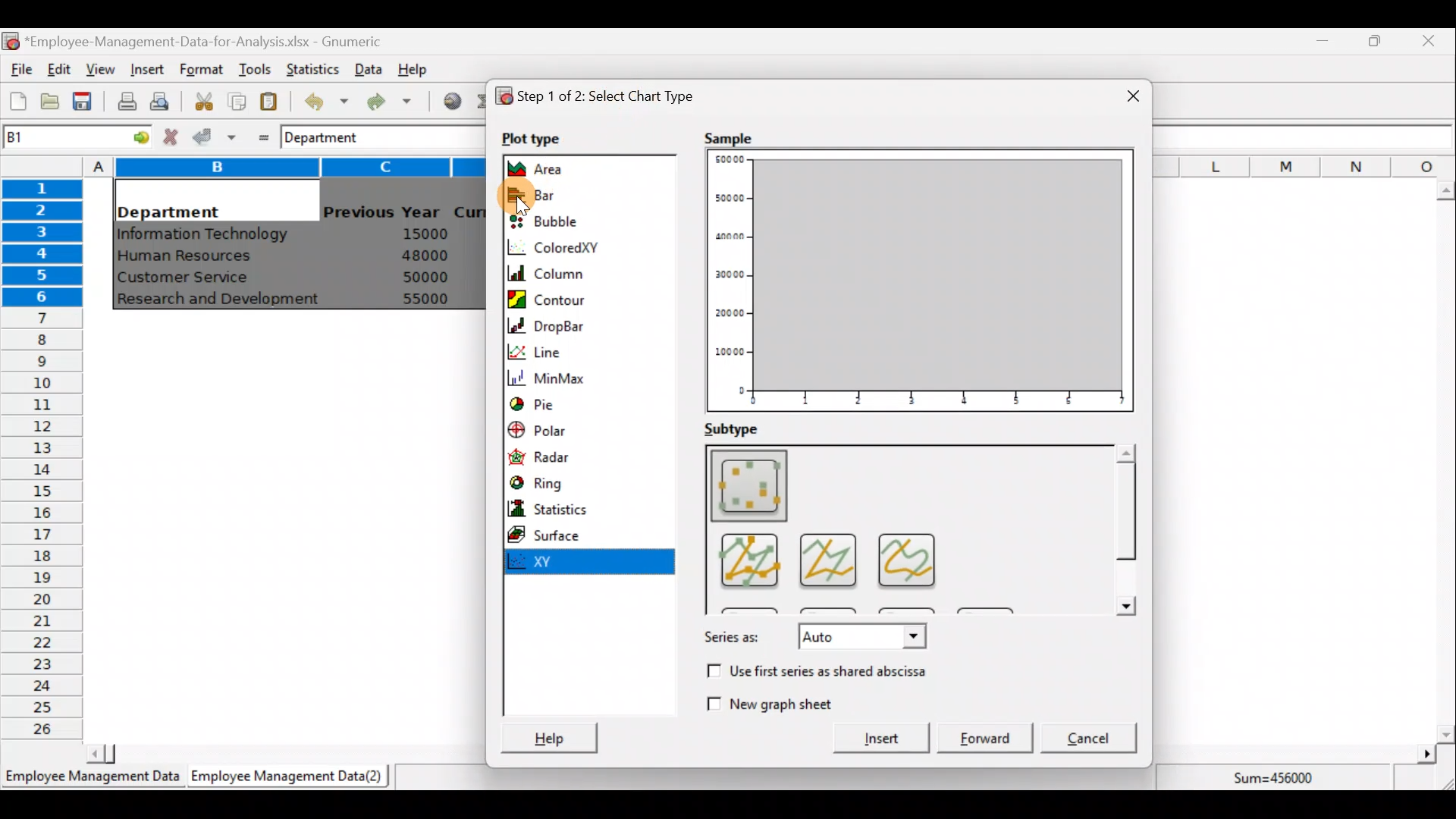 This screenshot has width=1456, height=819. I want to click on Sum into the current cell, so click(478, 101).